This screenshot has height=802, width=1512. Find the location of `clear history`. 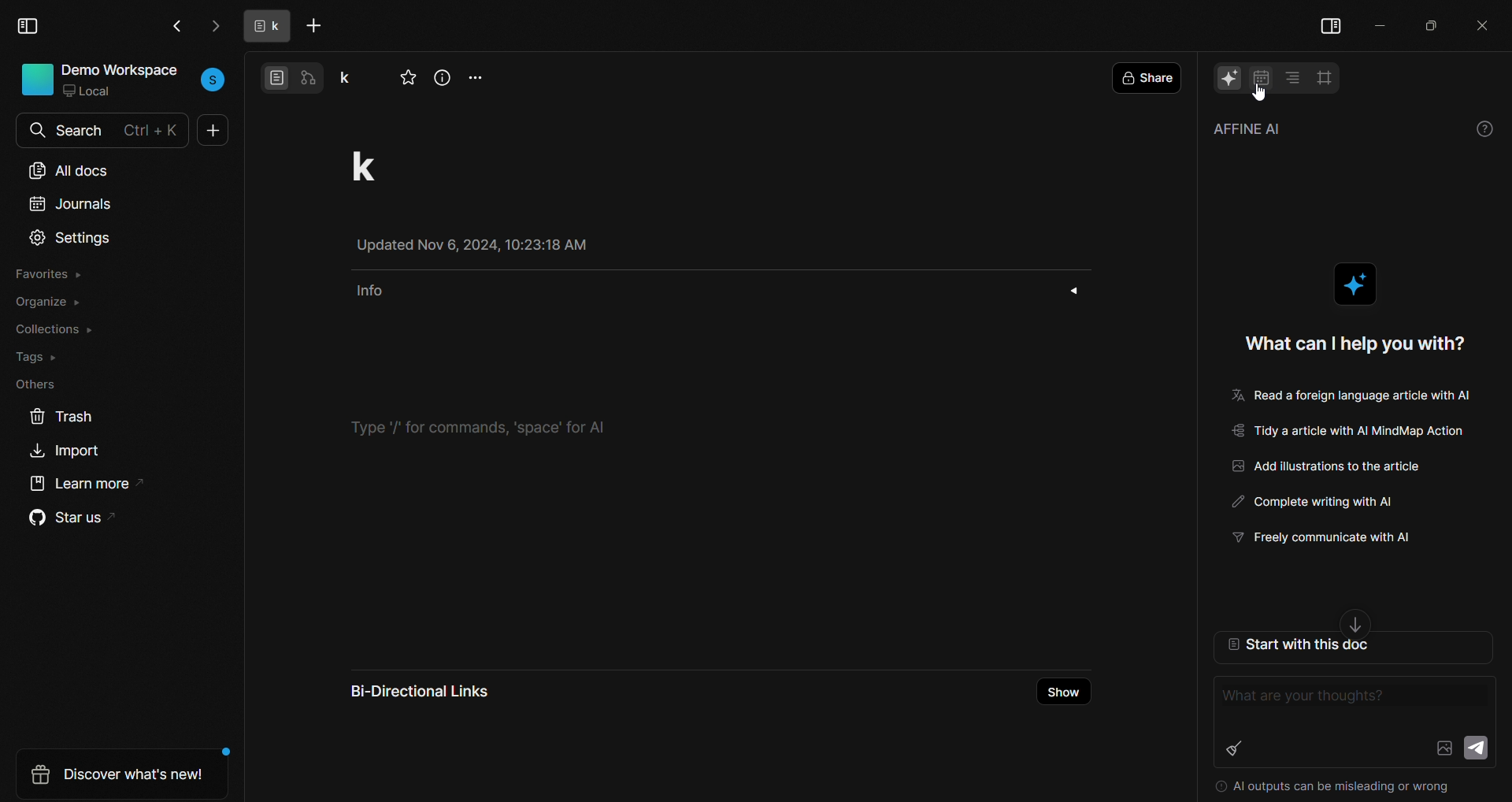

clear history is located at coordinates (1236, 749).